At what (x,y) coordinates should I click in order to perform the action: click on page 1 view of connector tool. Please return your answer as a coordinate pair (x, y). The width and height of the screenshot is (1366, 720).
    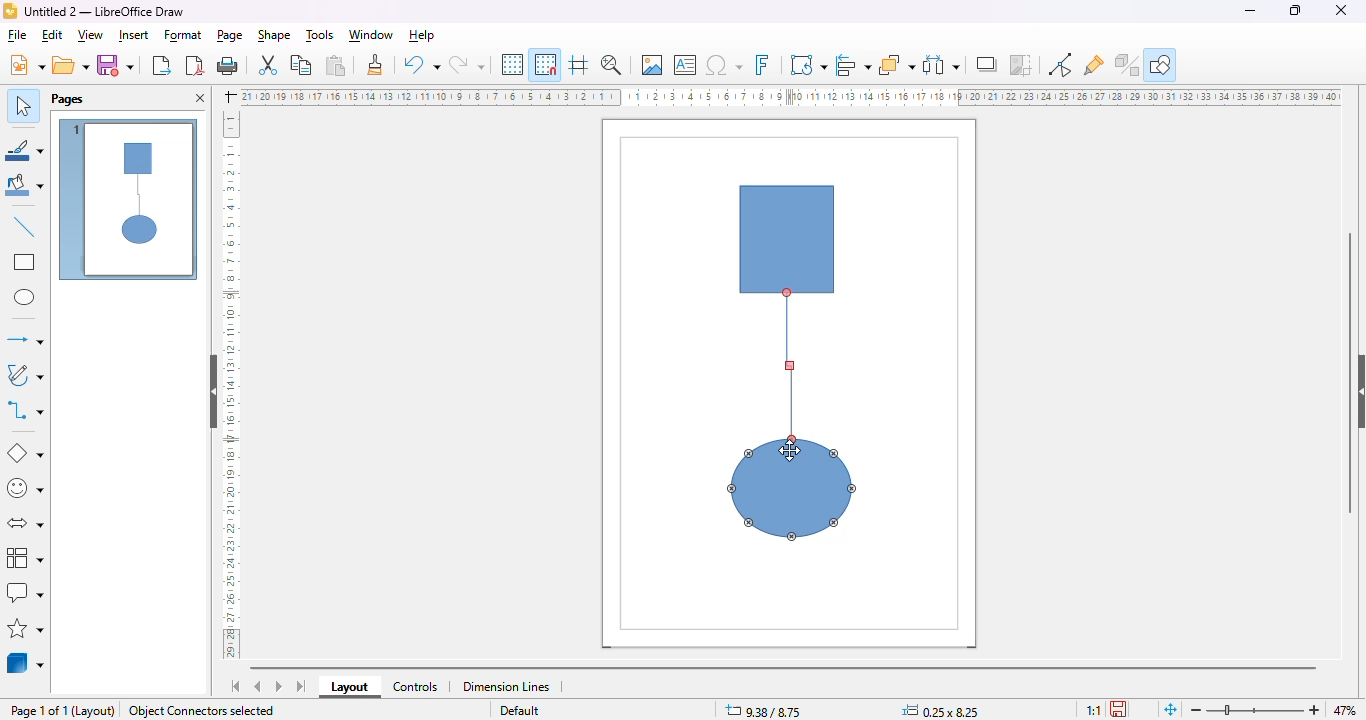
    Looking at the image, I should click on (129, 201).